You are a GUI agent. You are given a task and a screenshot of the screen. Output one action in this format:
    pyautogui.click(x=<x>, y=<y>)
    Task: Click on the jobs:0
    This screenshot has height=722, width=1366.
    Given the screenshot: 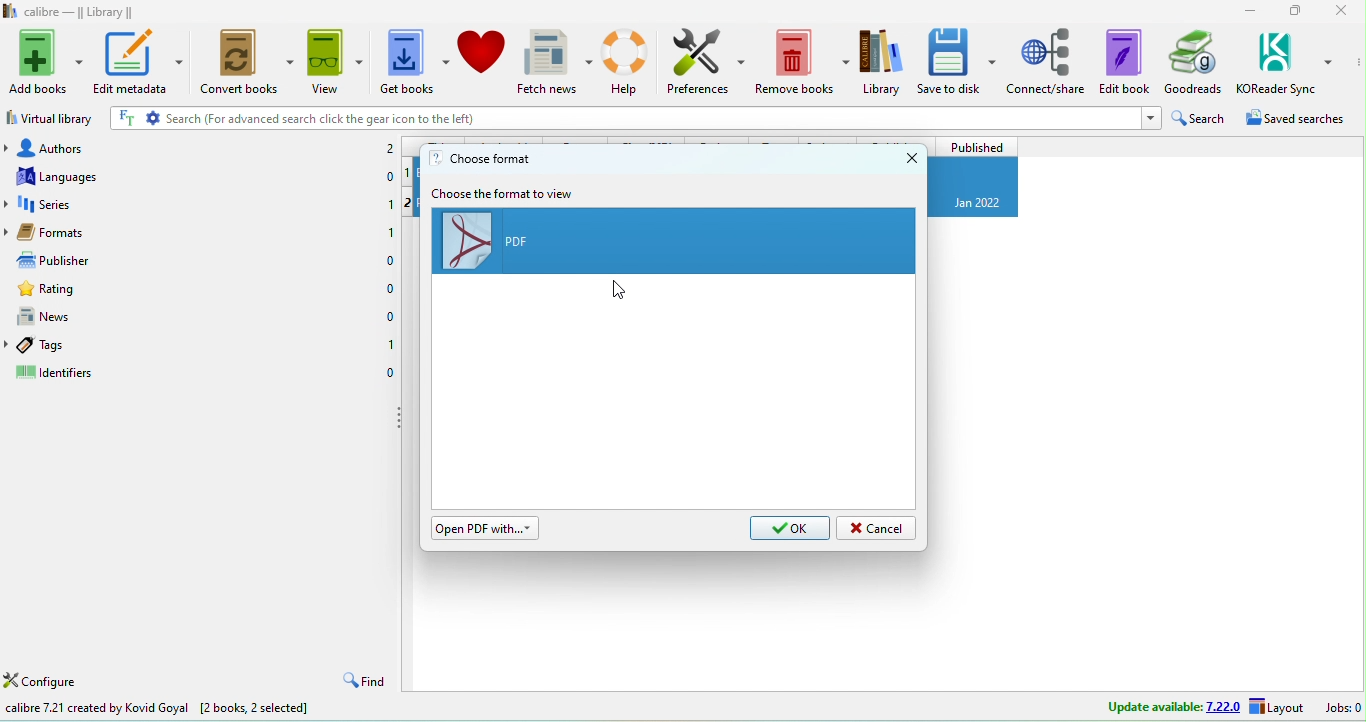 What is the action you would take?
    pyautogui.click(x=1345, y=705)
    